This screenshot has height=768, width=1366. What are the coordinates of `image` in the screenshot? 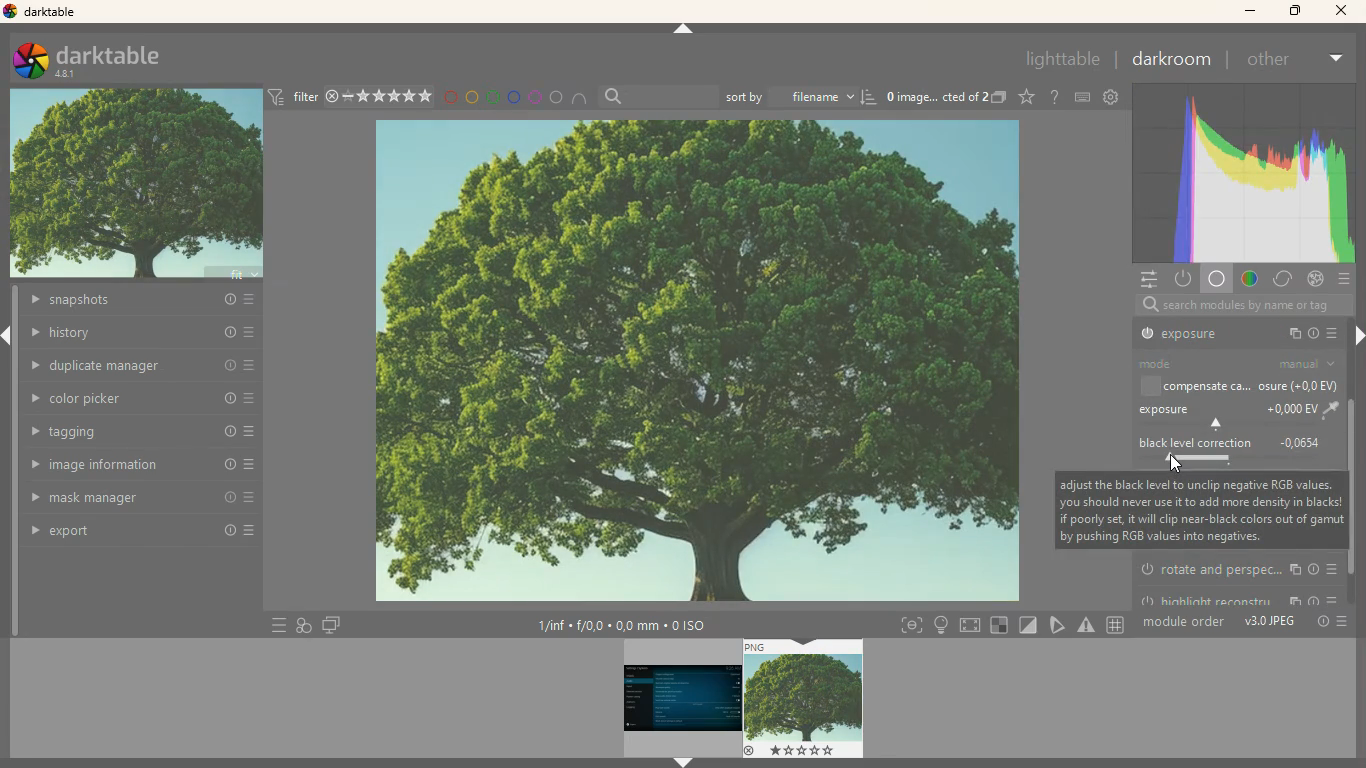 It's located at (139, 185).